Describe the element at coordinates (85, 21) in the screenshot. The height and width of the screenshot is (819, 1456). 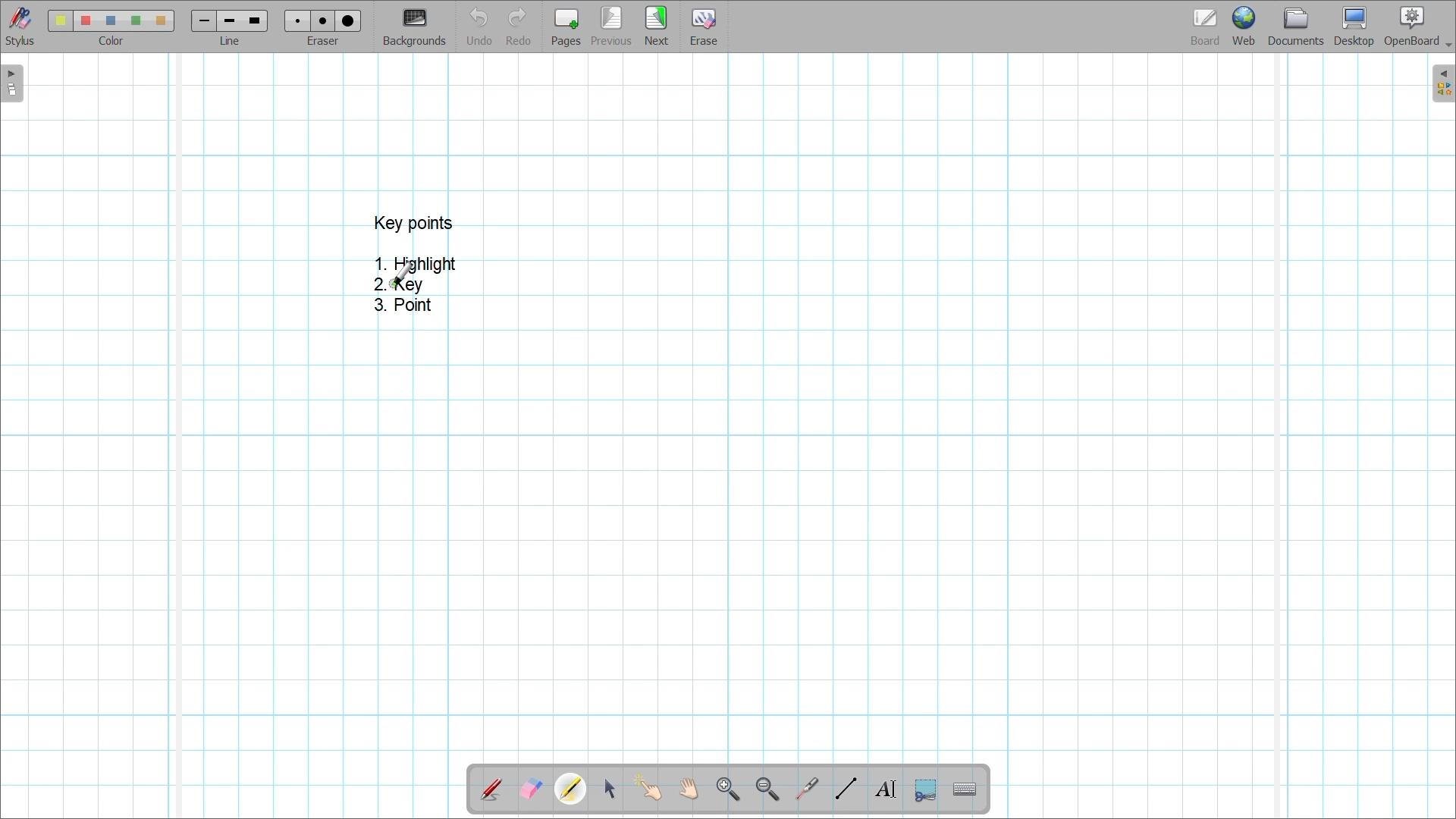
I see `color 2` at that location.